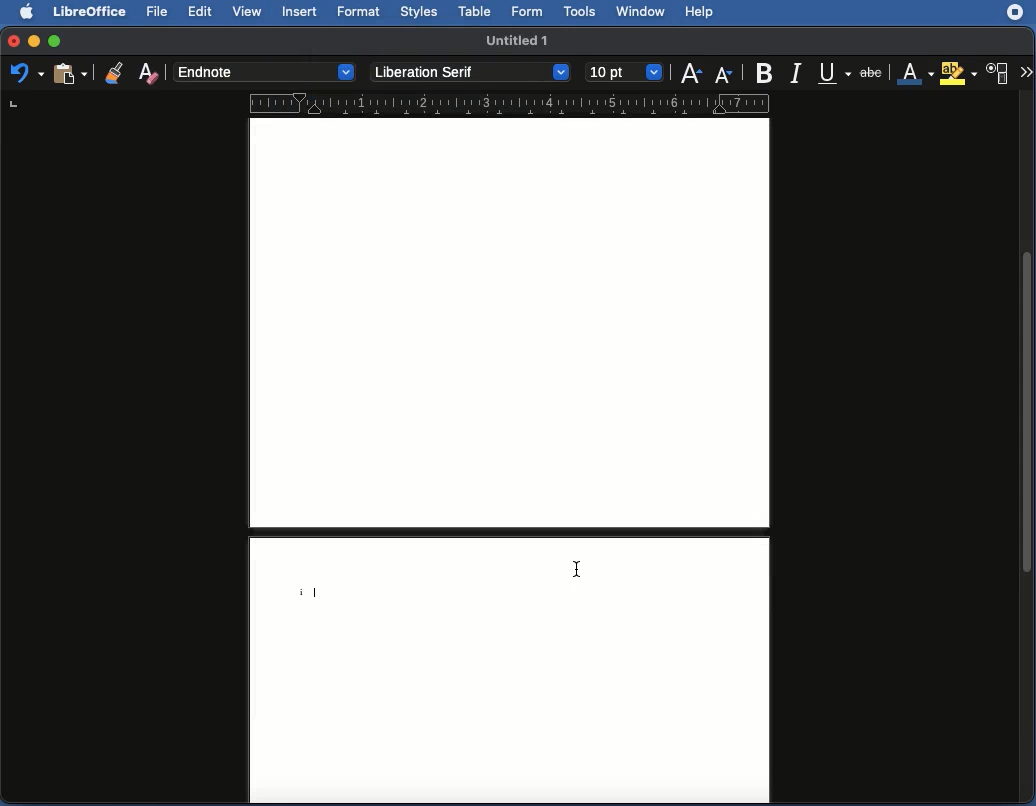 This screenshot has height=806, width=1036. Describe the element at coordinates (800, 72) in the screenshot. I see `Italics` at that location.